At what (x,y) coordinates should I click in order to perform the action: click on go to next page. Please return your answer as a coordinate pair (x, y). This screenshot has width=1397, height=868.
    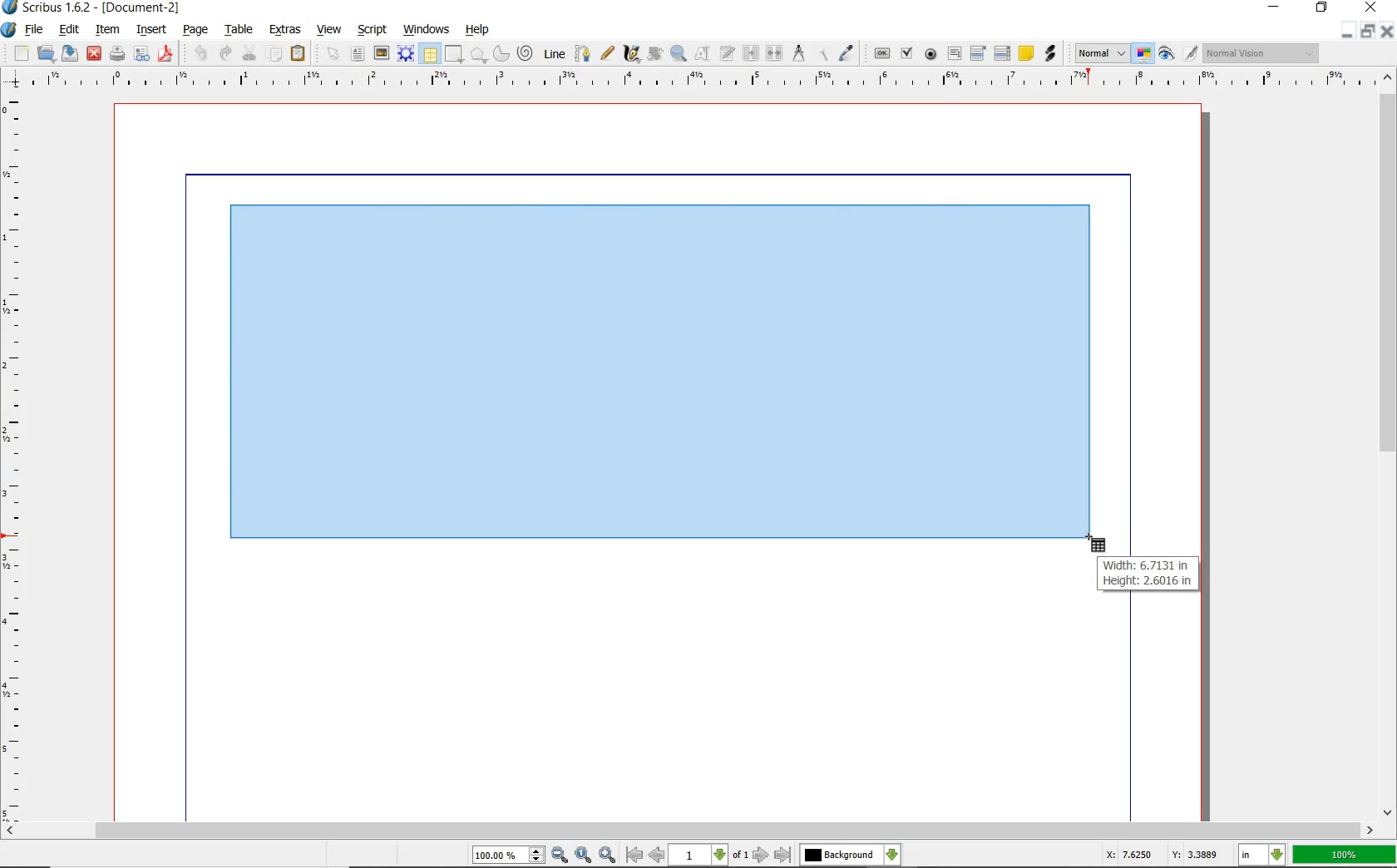
    Looking at the image, I should click on (762, 856).